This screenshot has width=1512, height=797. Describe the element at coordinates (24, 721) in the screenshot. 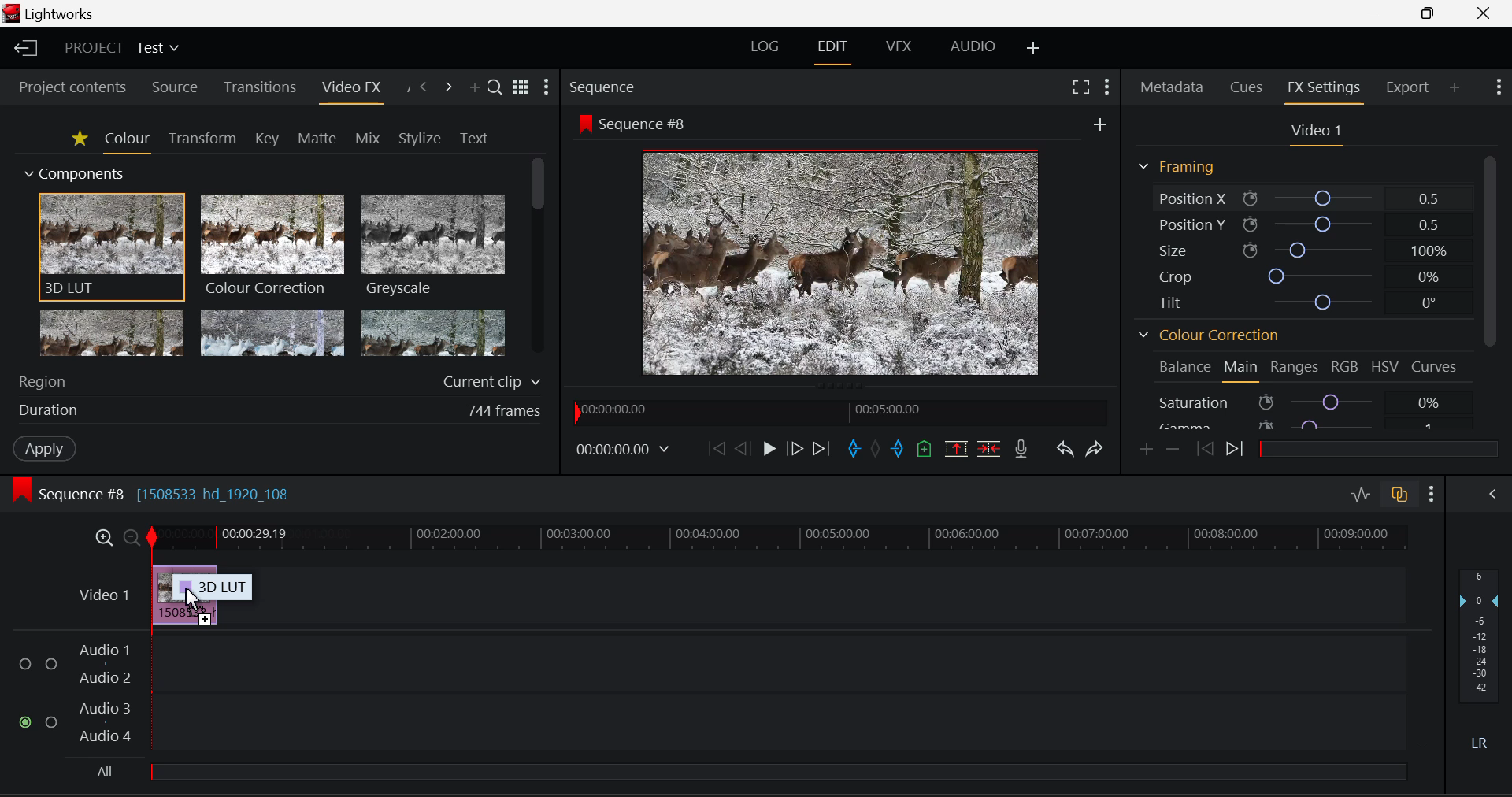

I see `Audio Input Checkbox` at that location.